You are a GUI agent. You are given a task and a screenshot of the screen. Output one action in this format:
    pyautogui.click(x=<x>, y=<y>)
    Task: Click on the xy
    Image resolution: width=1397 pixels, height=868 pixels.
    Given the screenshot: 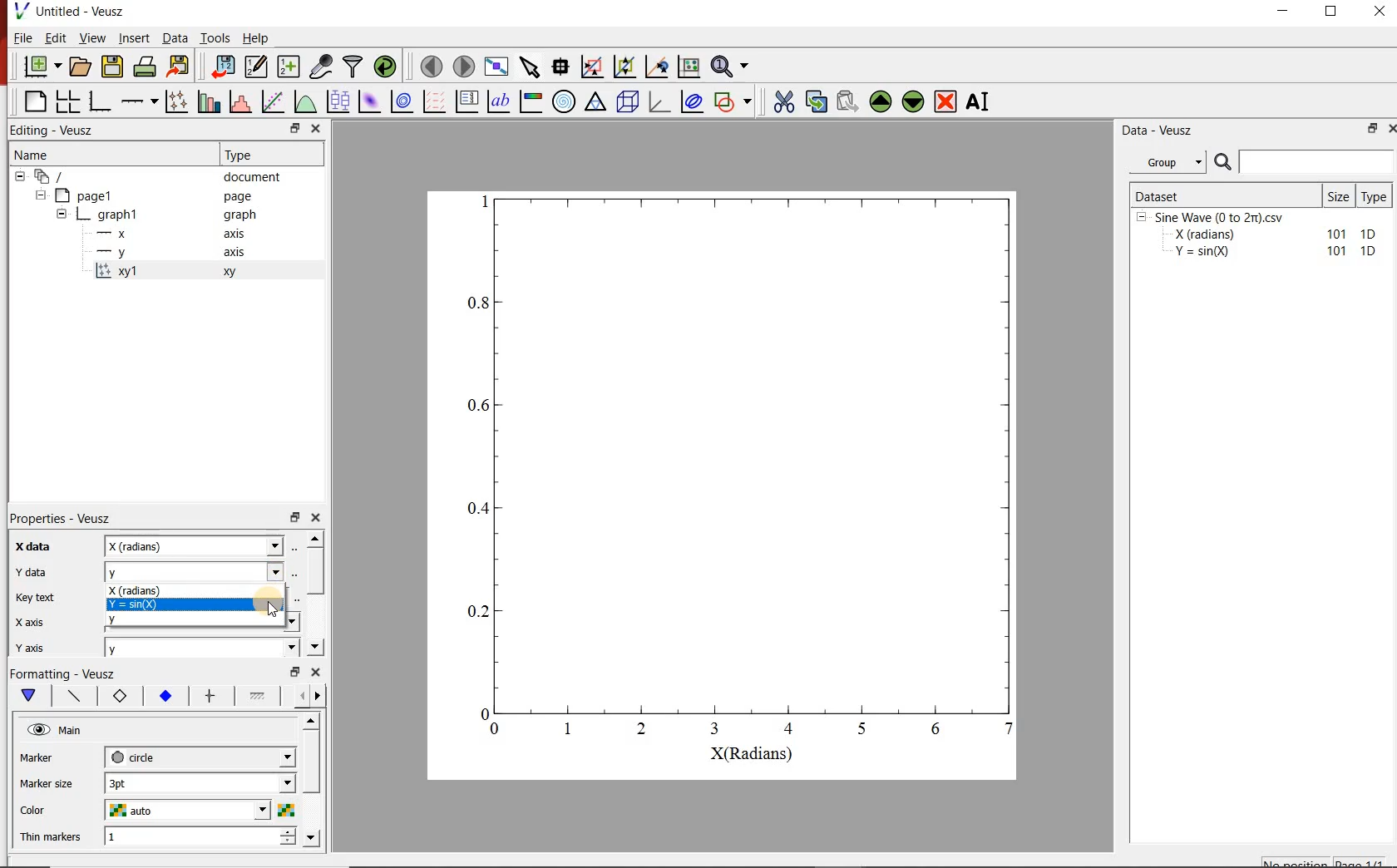 What is the action you would take?
    pyautogui.click(x=226, y=272)
    